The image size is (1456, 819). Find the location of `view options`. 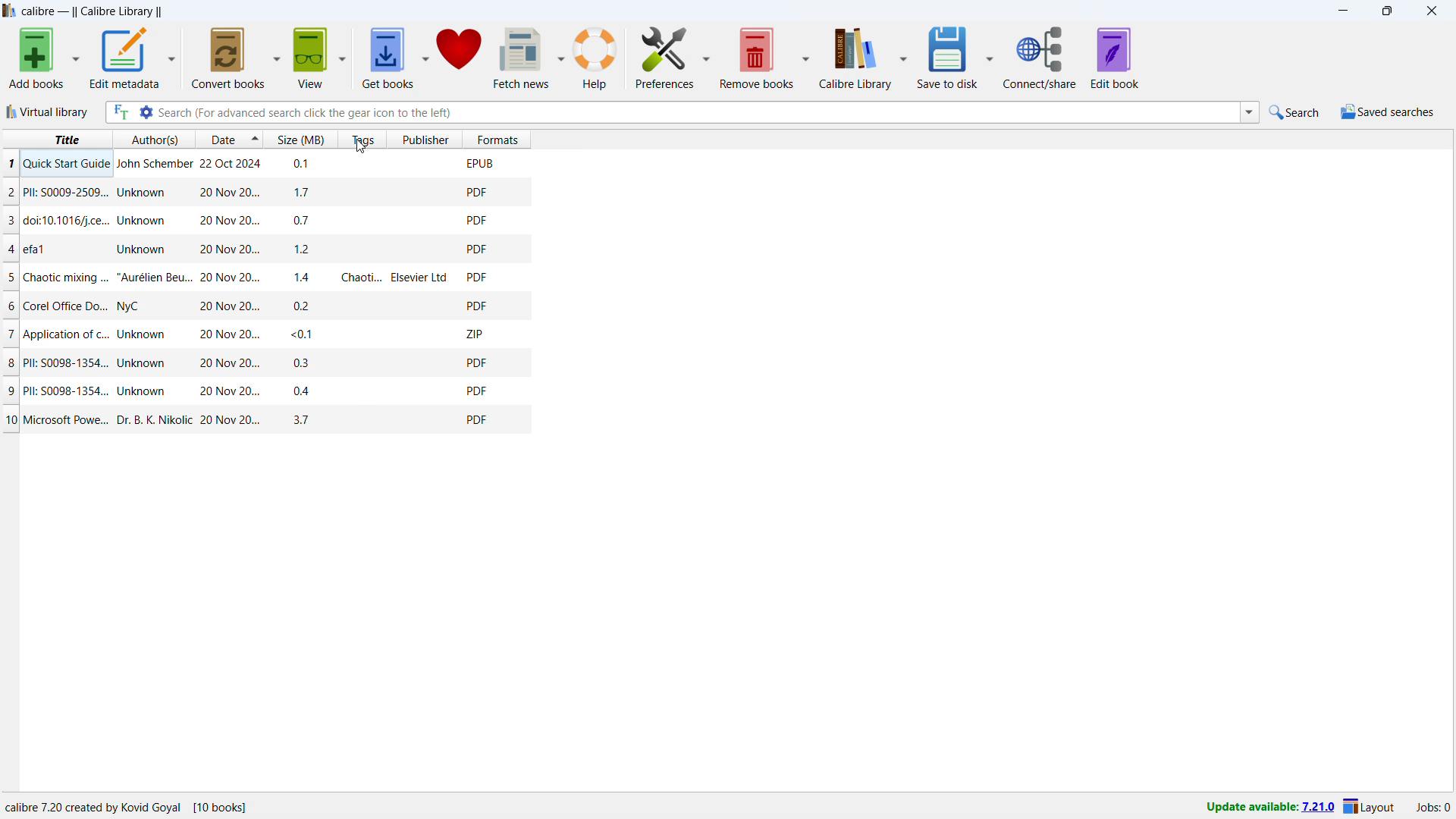

view options is located at coordinates (344, 55).